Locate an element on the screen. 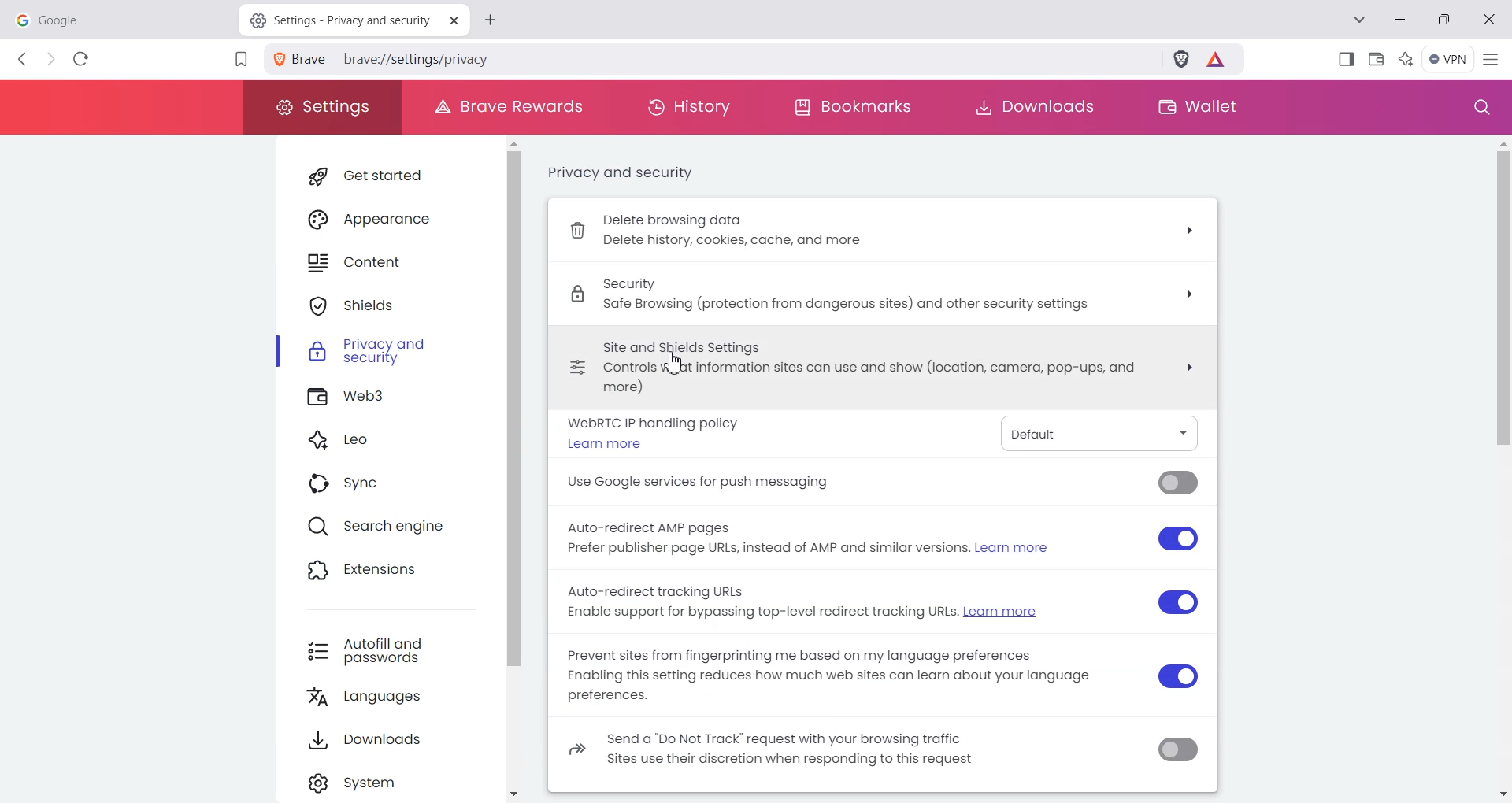 Image resolution: width=1512 pixels, height=803 pixels. Vertical scroll bar is located at coordinates (524, 469).